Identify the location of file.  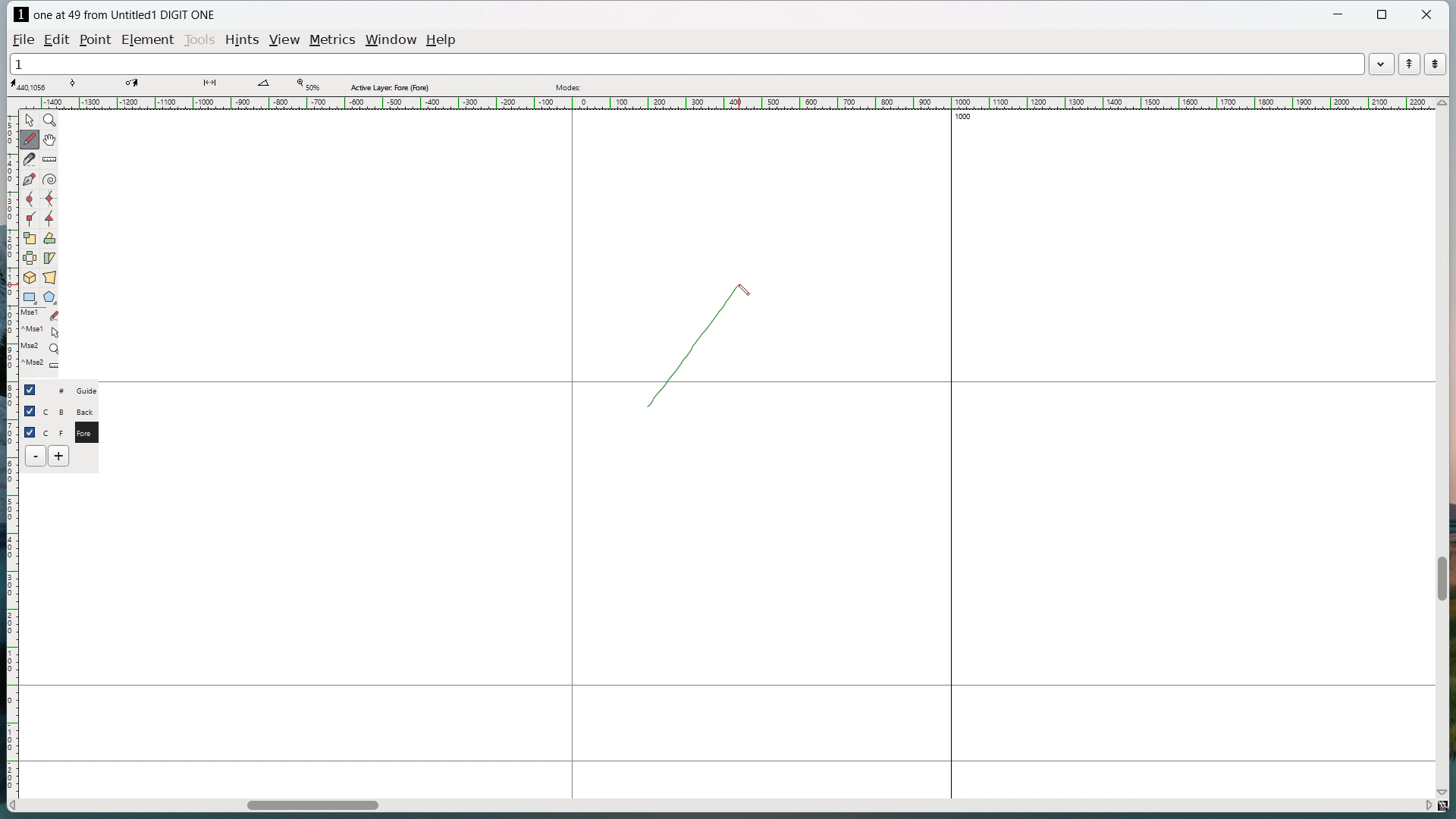
(24, 39).